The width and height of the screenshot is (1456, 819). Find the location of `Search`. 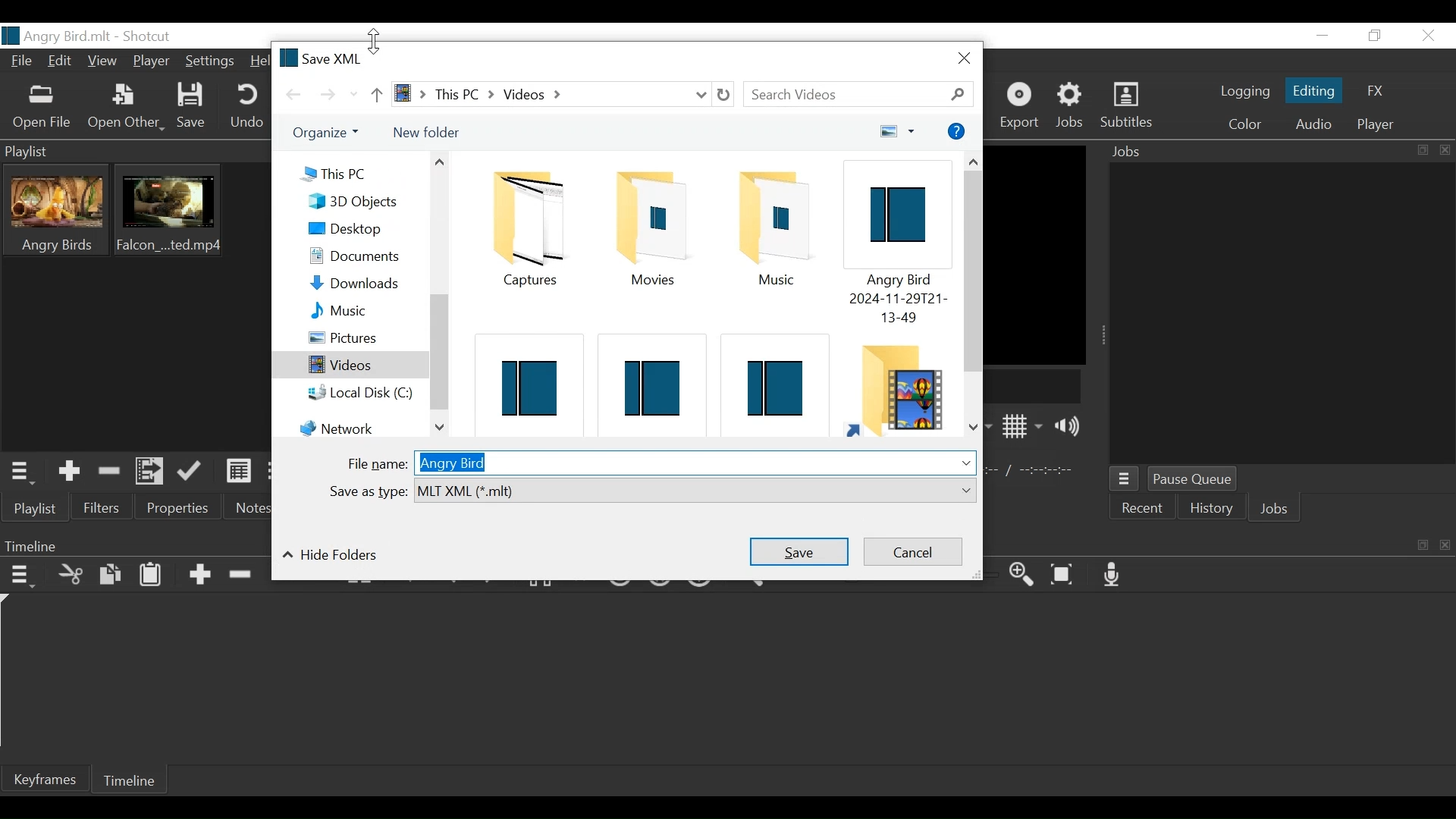

Search is located at coordinates (858, 95).